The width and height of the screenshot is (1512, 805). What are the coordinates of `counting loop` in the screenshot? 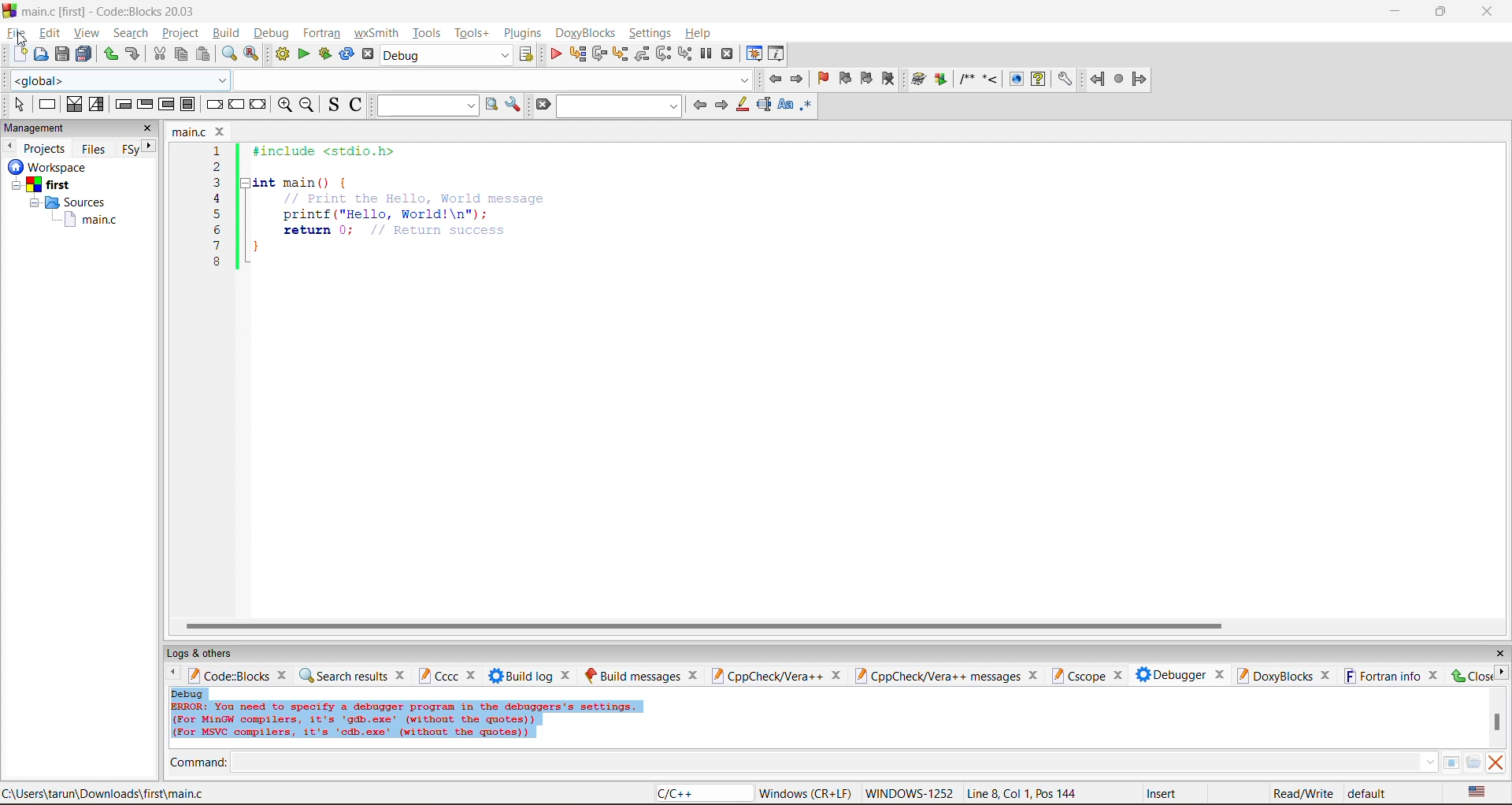 It's located at (167, 106).